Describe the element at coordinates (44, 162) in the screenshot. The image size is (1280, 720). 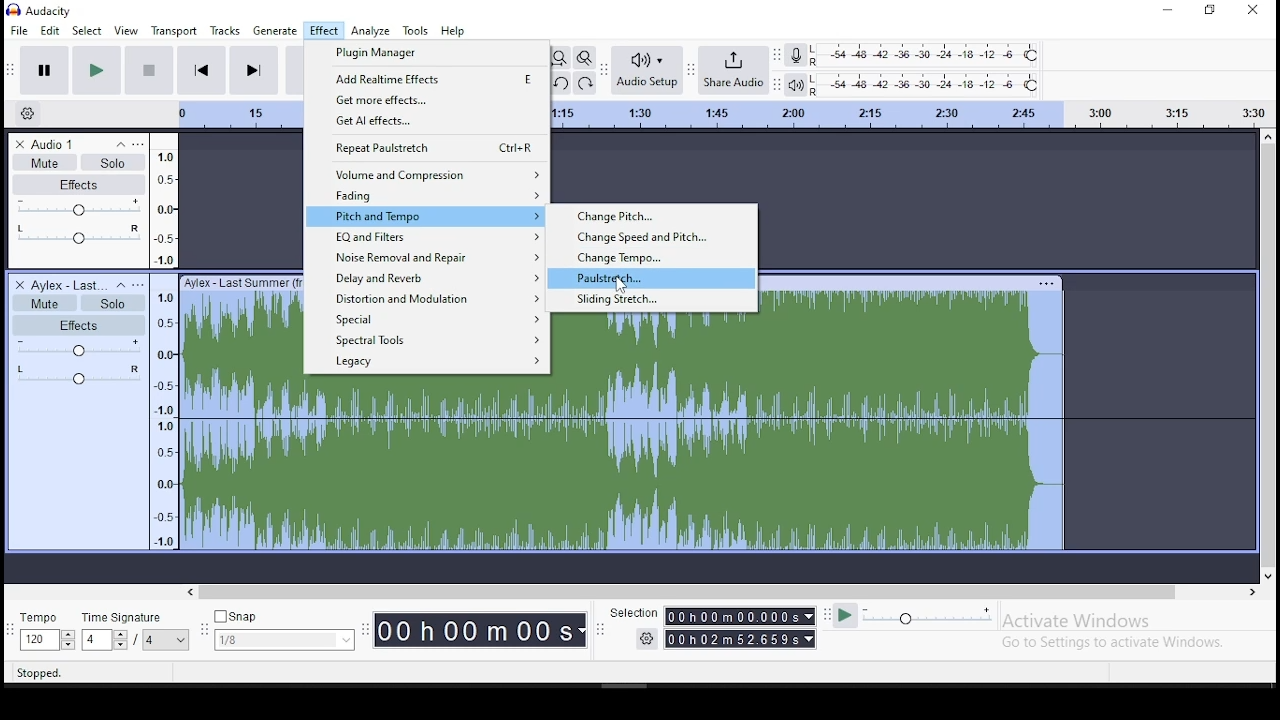
I see `mute/unmute` at that location.